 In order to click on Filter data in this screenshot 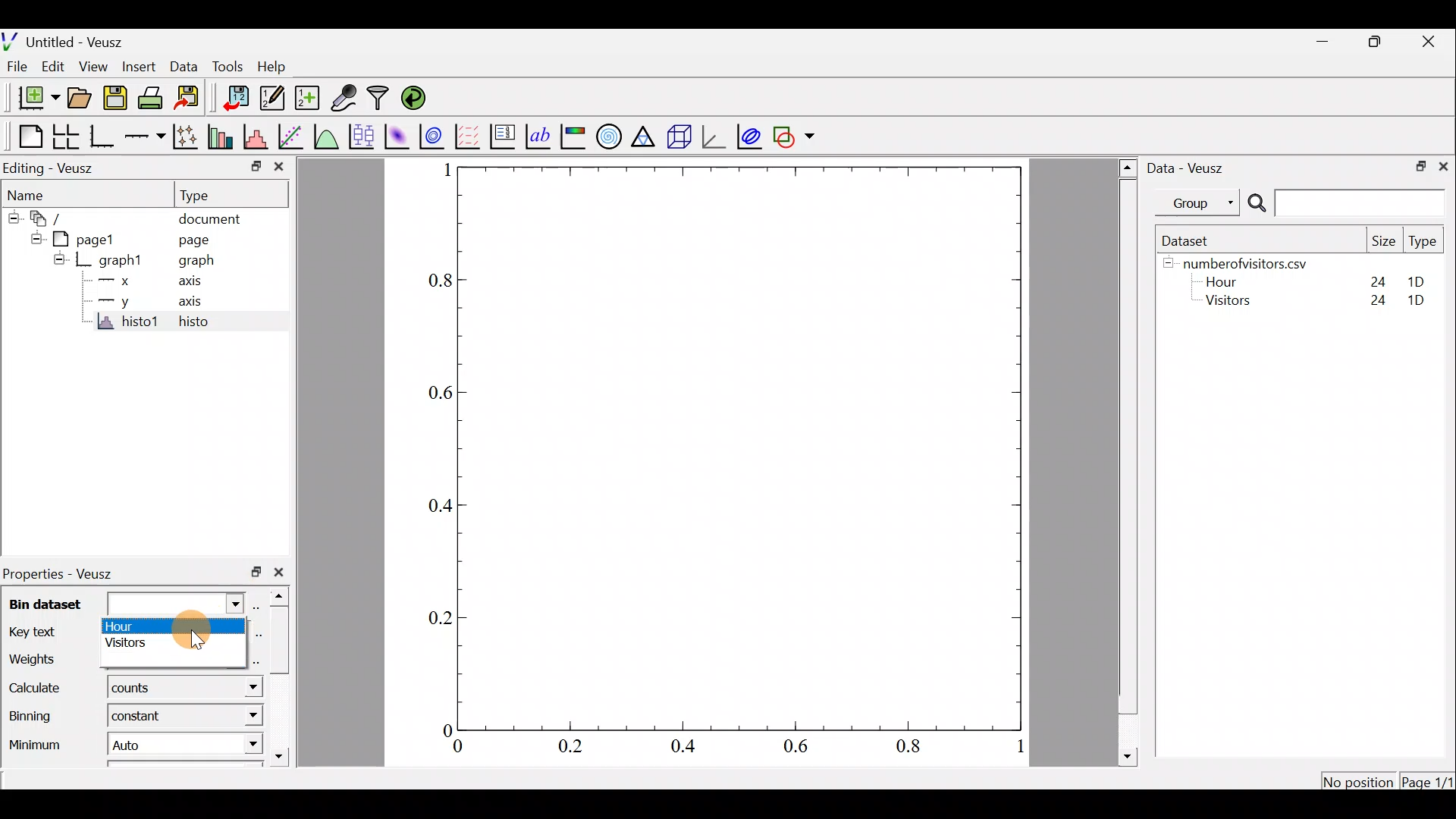, I will do `click(378, 97)`.